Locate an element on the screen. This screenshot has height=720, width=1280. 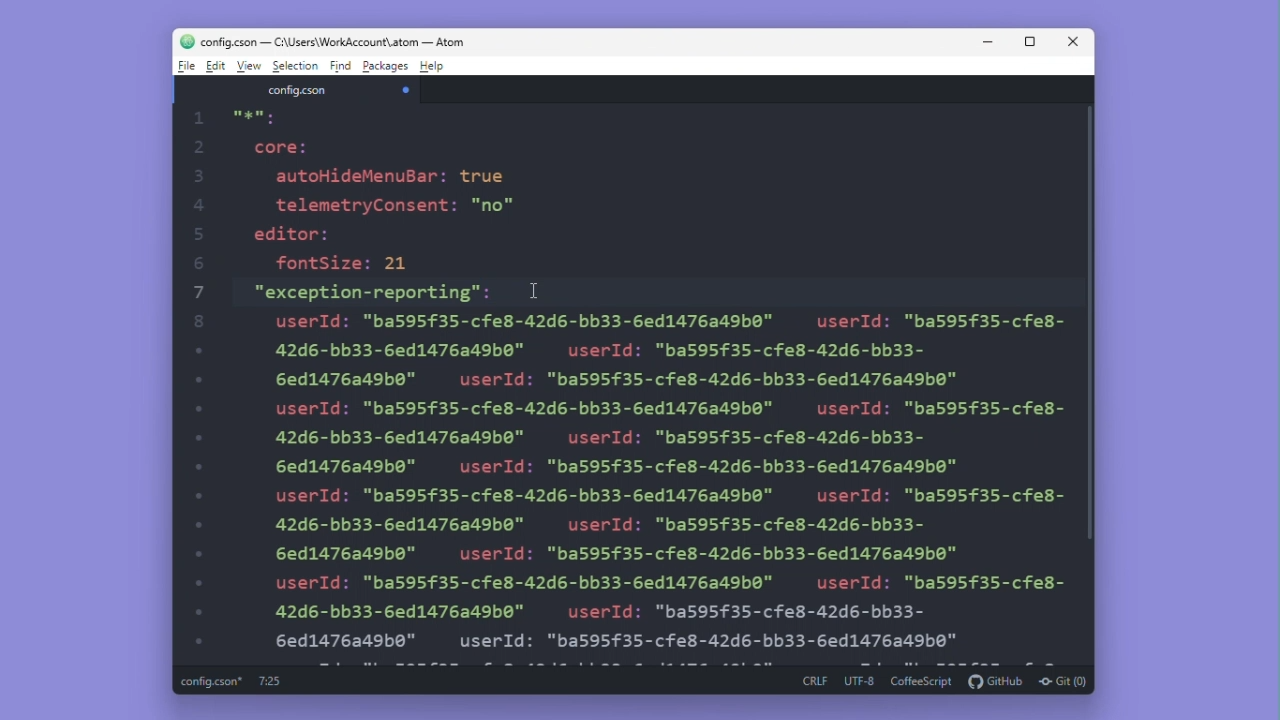
Packages is located at coordinates (385, 66).